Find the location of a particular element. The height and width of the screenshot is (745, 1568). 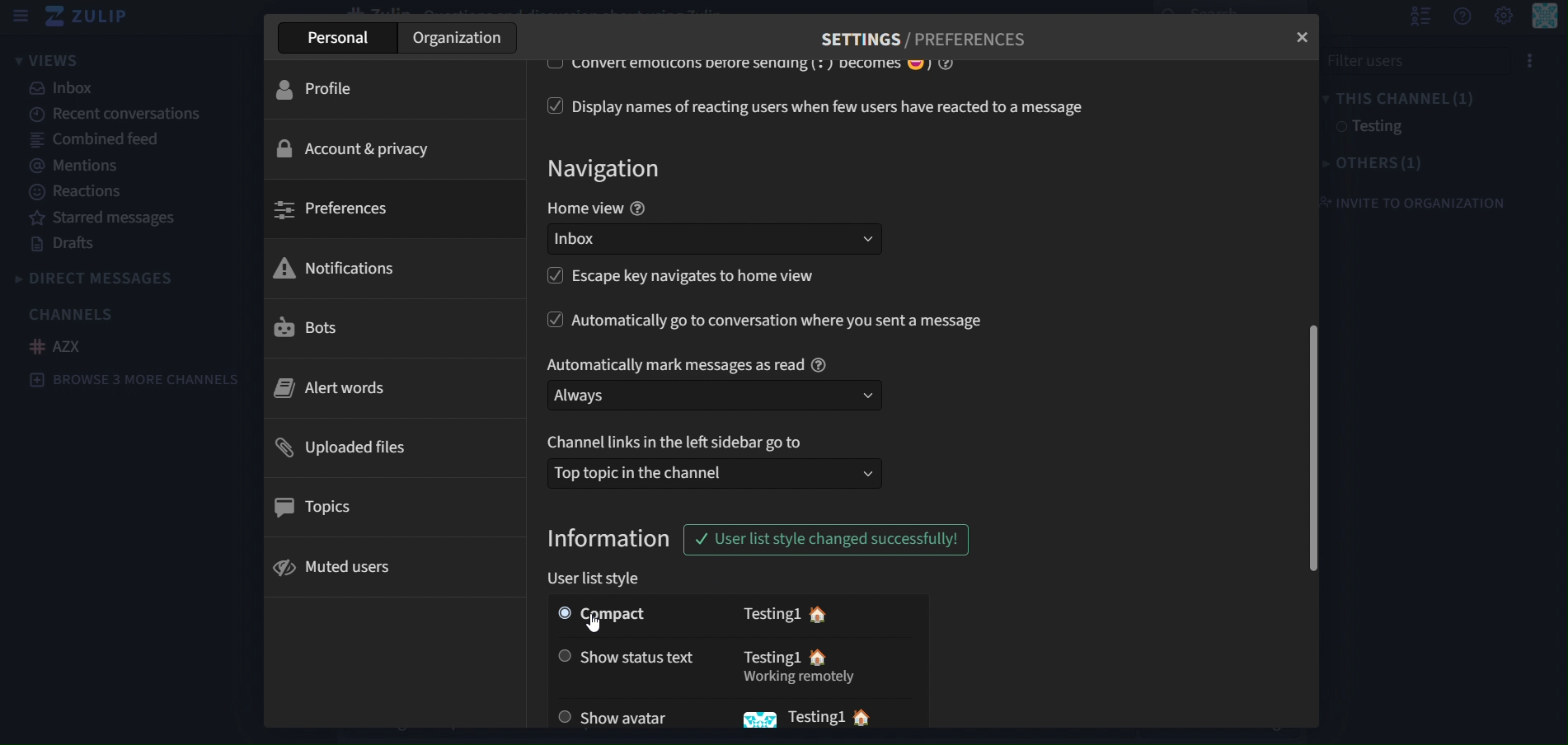

show status text is located at coordinates (622, 654).